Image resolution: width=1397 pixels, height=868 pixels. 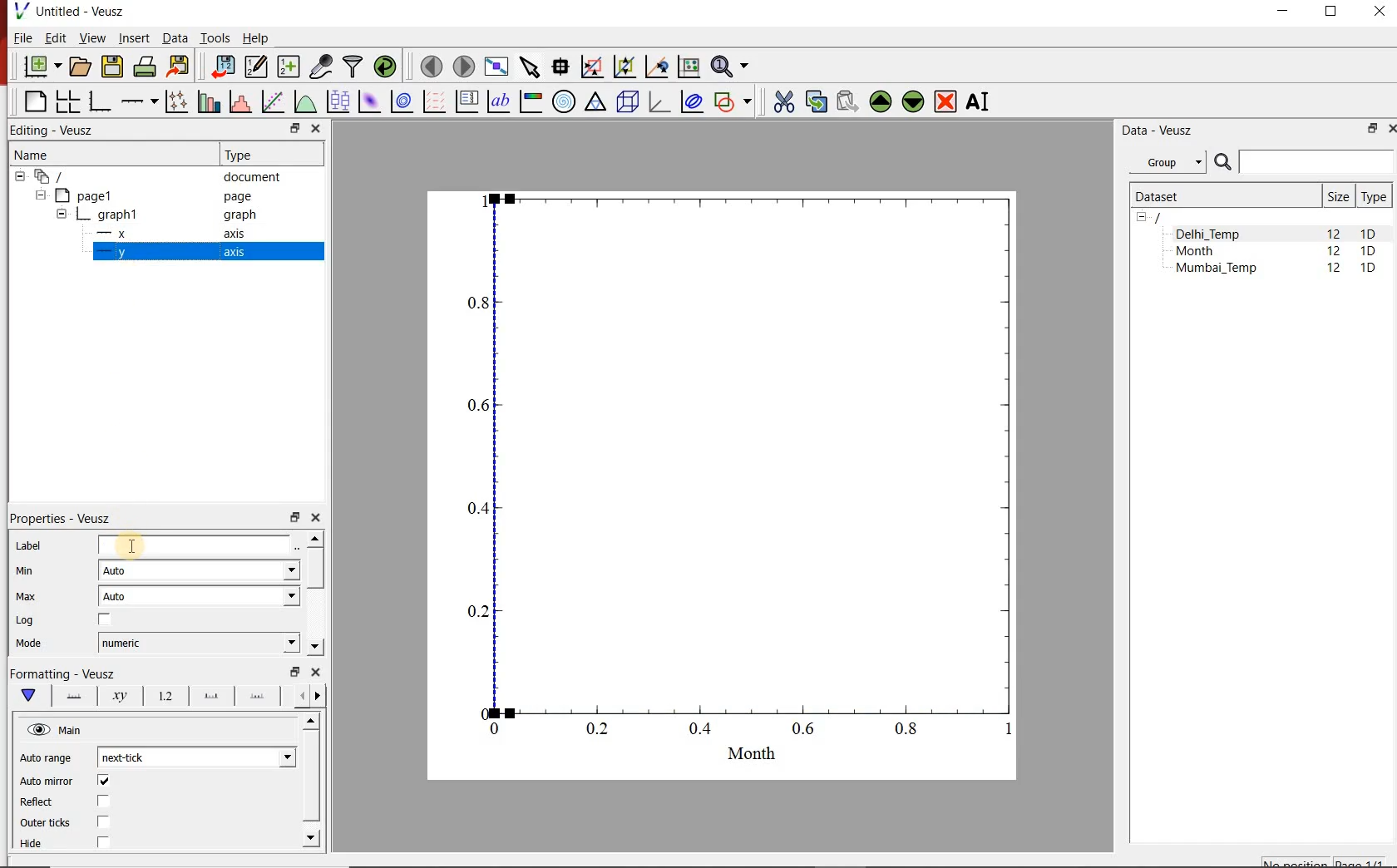 I want to click on Type, so click(x=1374, y=196).